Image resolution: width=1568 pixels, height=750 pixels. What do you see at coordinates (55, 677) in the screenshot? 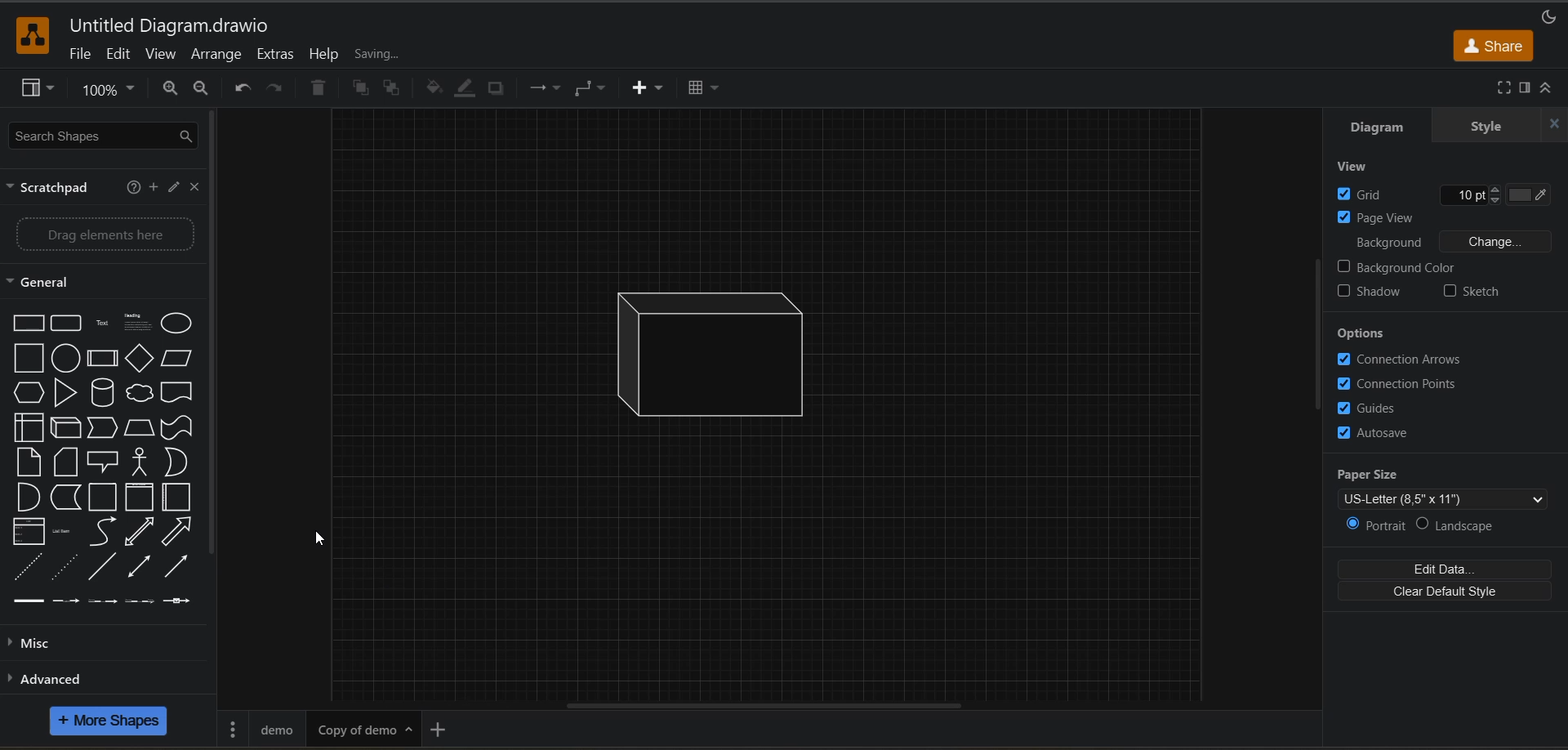
I see `advanced` at bounding box center [55, 677].